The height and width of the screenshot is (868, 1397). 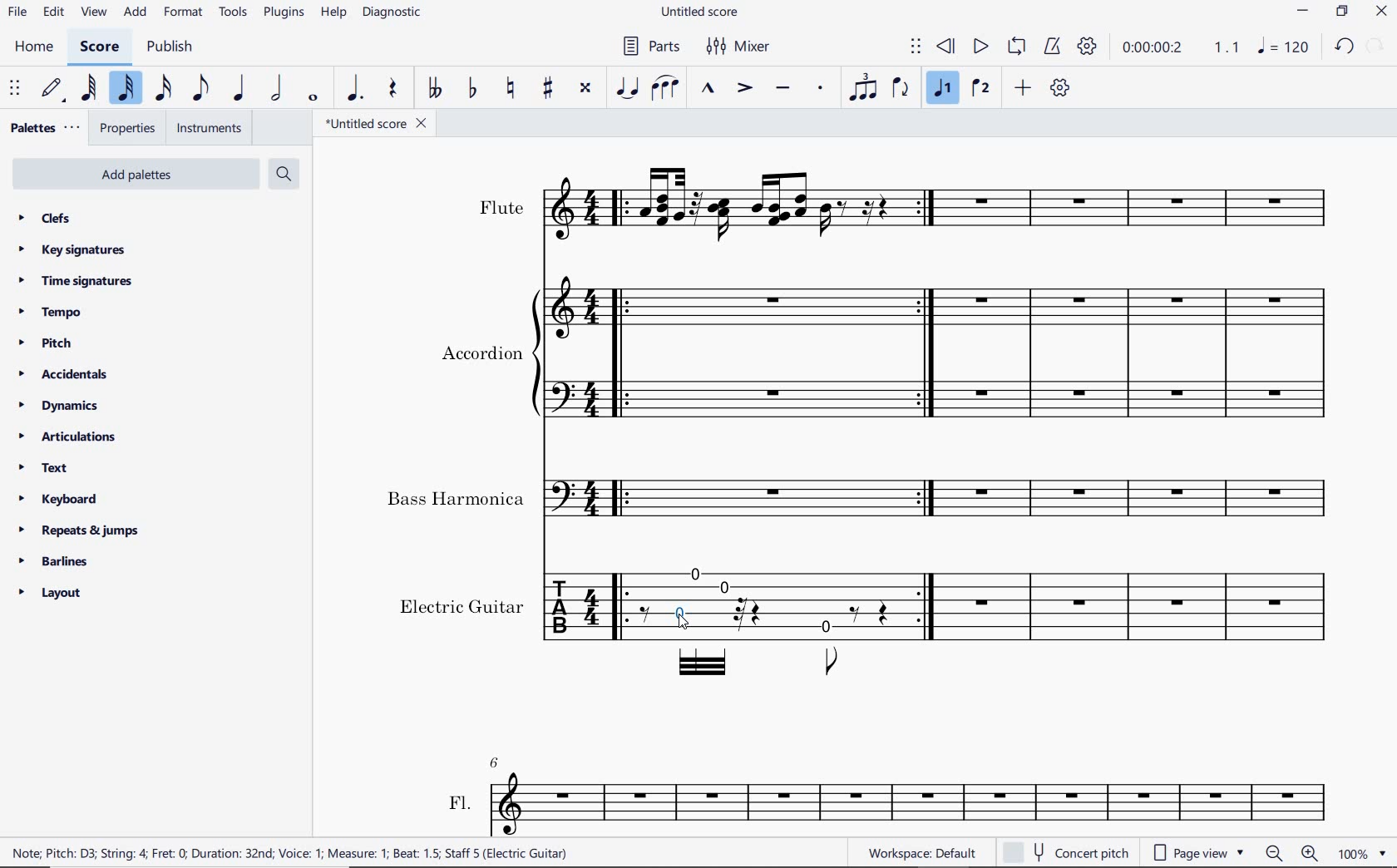 I want to click on concert pitch, so click(x=1065, y=852).